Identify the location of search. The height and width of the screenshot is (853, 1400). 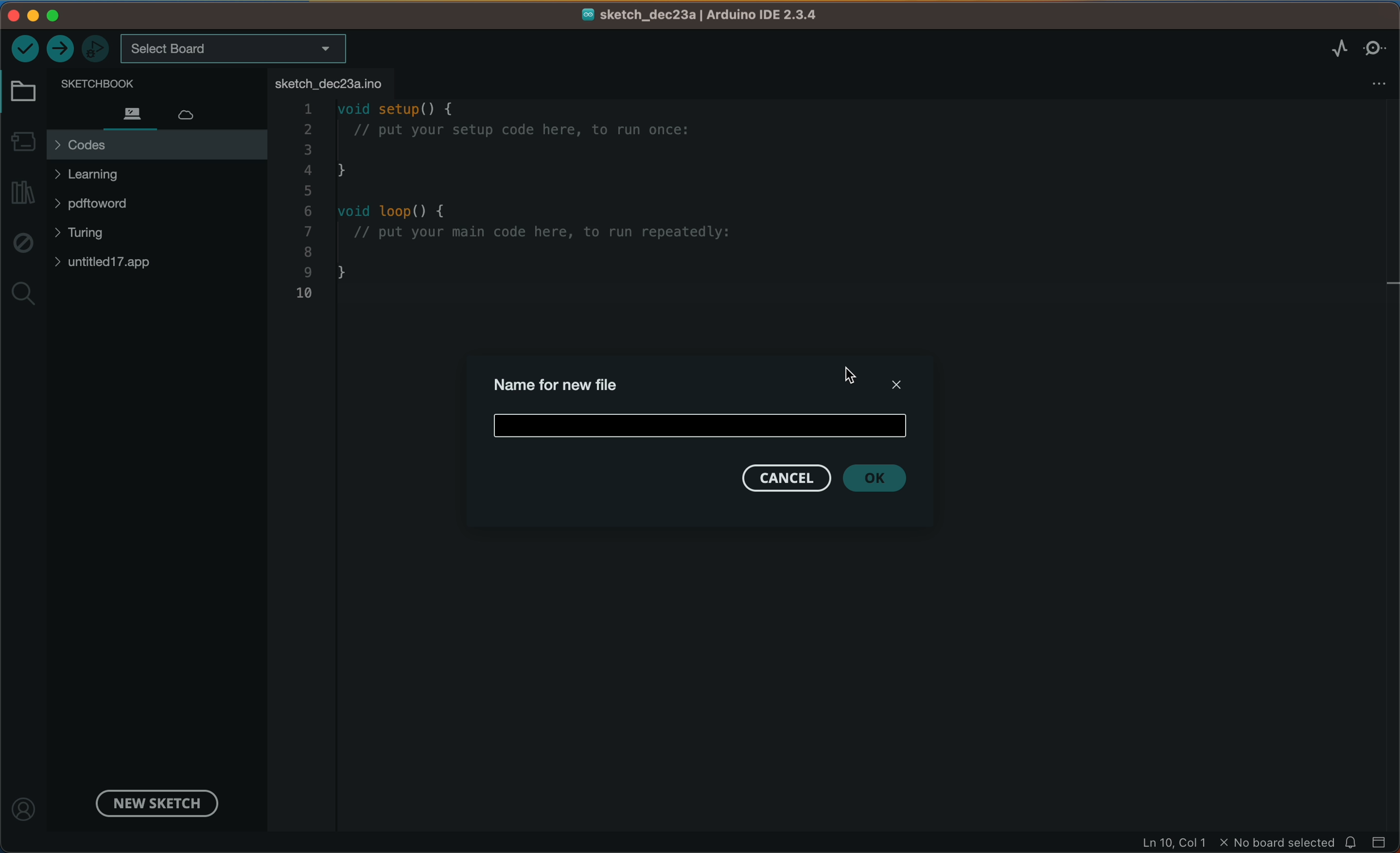
(23, 295).